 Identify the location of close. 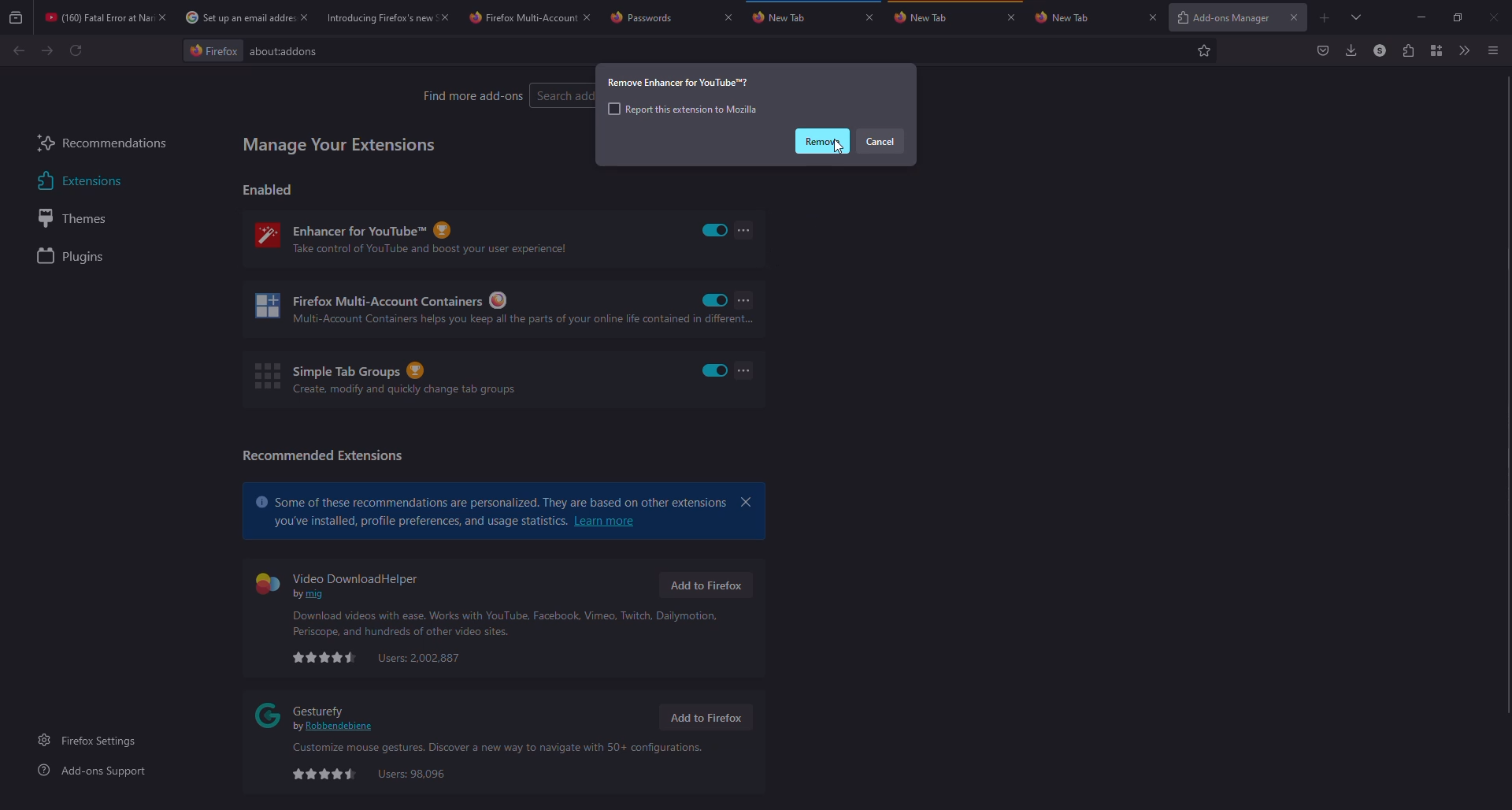
(728, 17).